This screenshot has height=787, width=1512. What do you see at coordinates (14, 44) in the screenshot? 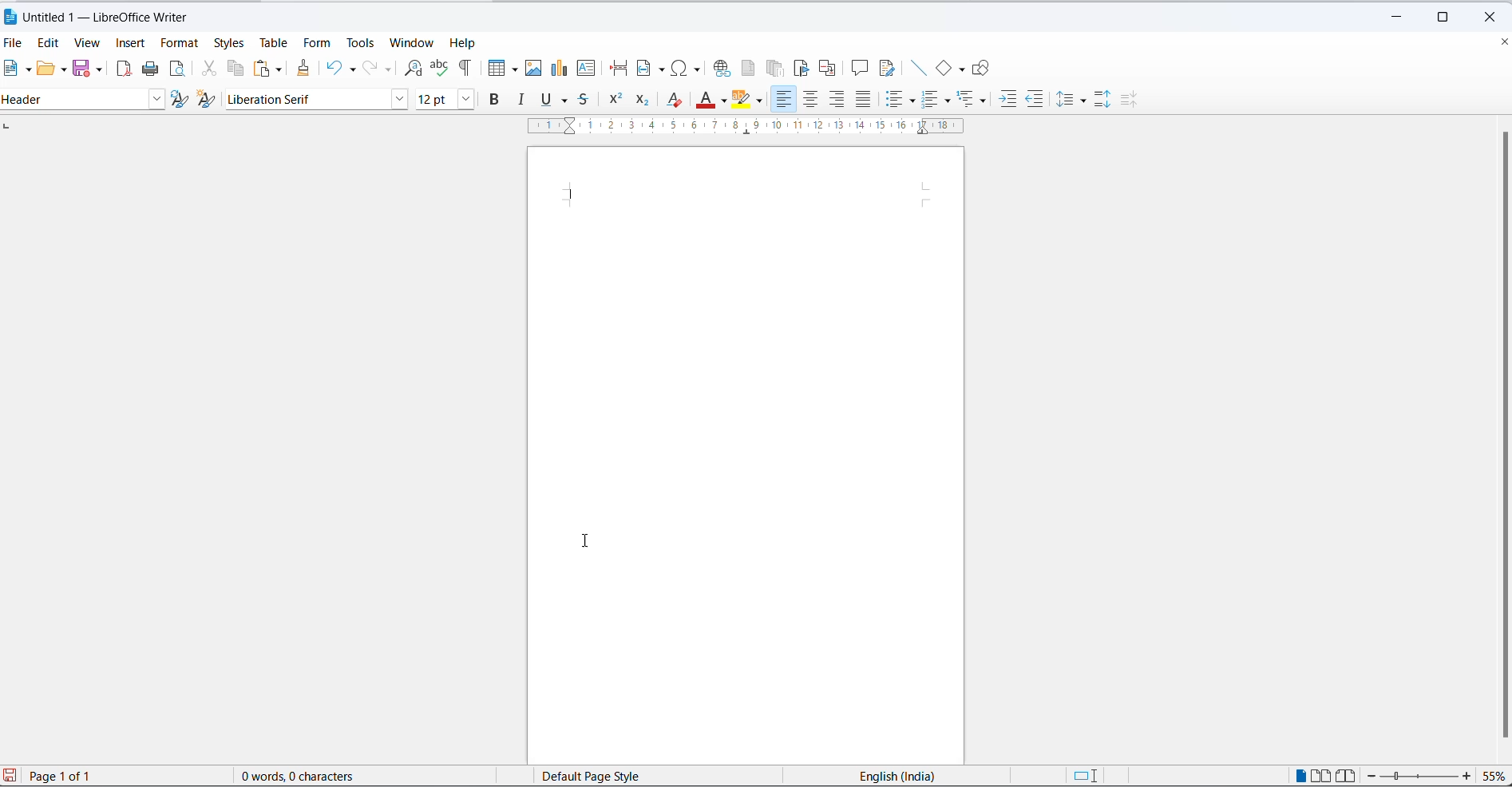
I see `file` at bounding box center [14, 44].